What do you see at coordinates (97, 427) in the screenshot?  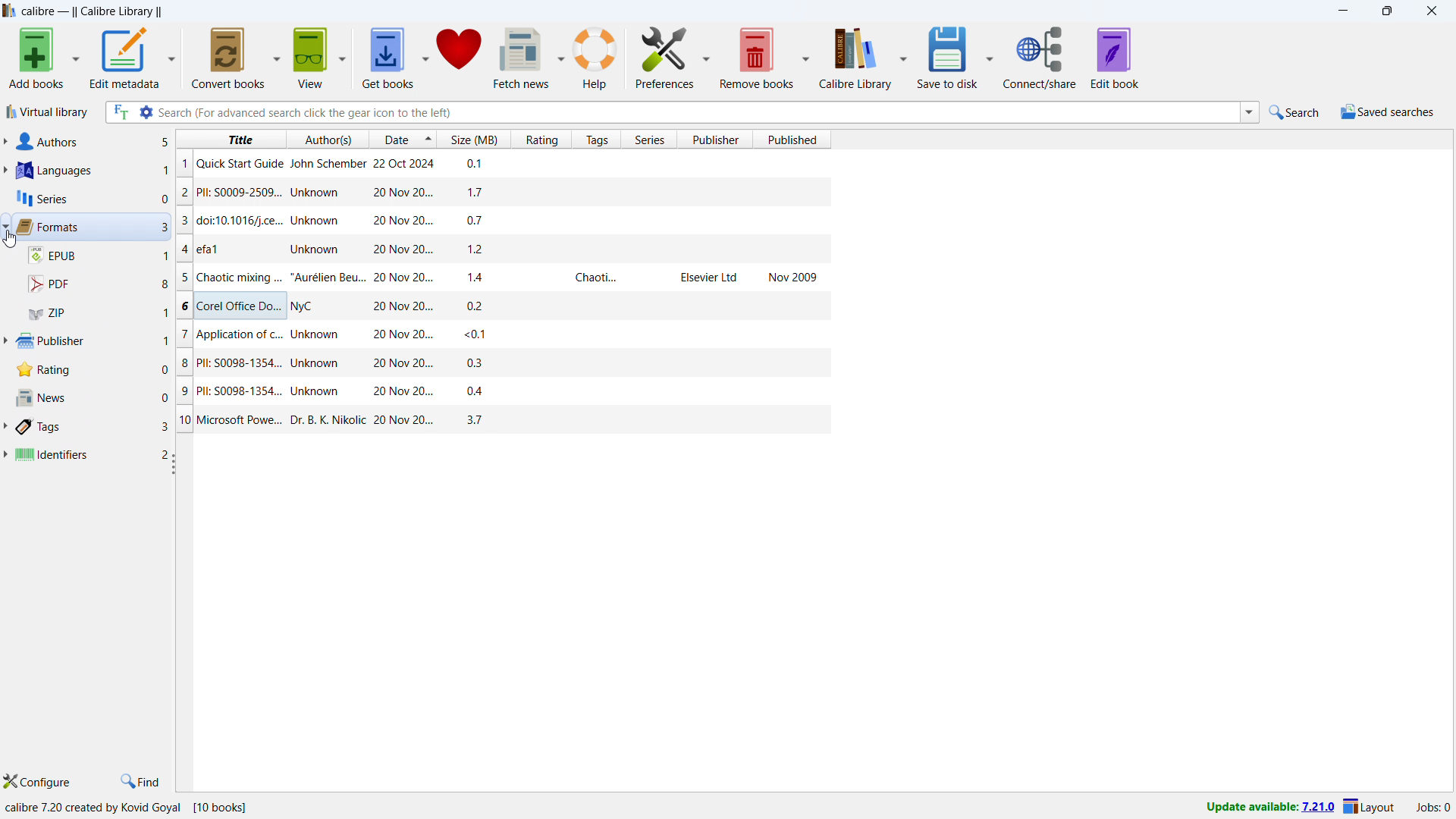 I see `tags` at bounding box center [97, 427].